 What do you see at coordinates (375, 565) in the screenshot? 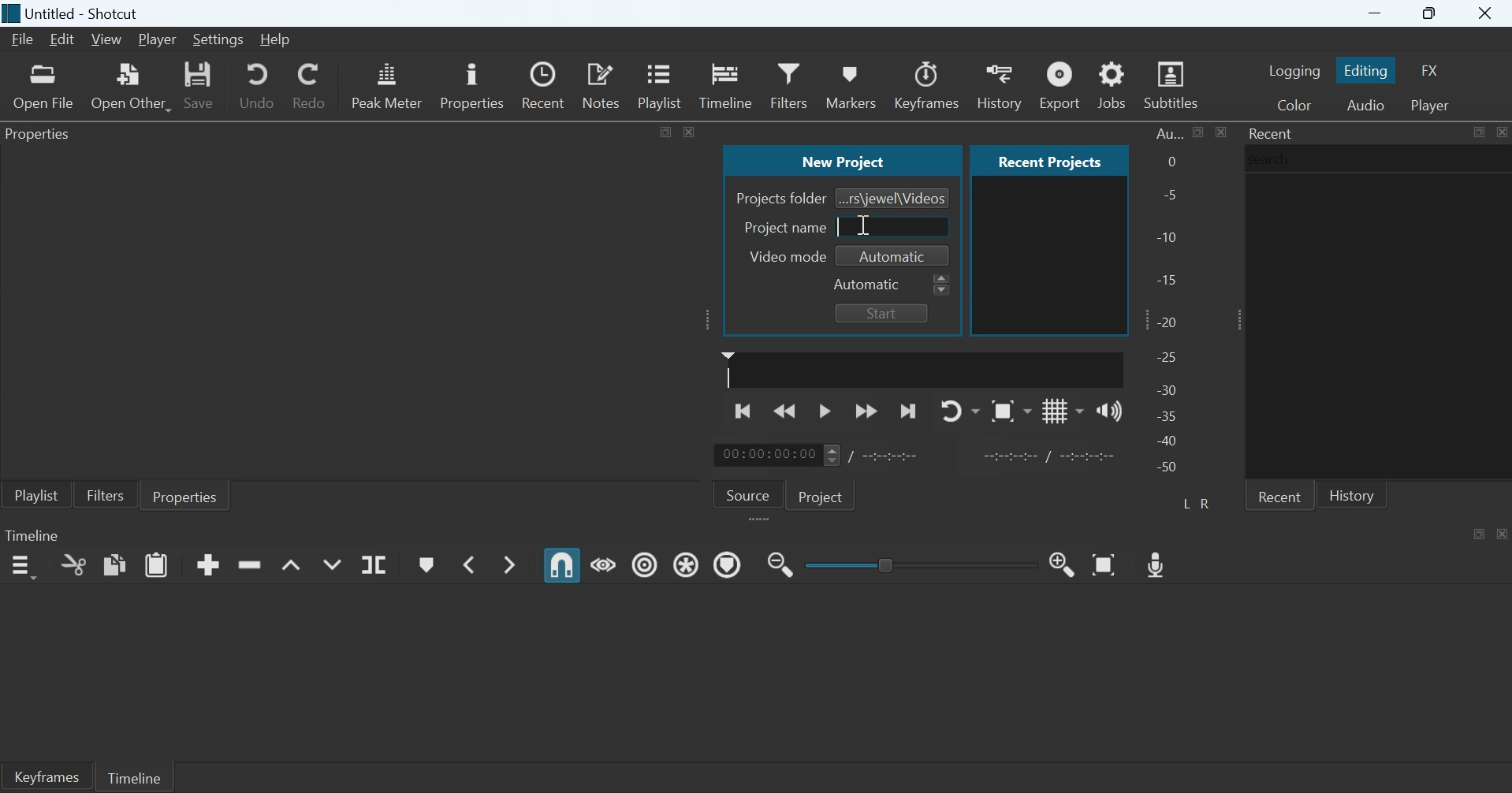
I see `Split at payhead` at bounding box center [375, 565].